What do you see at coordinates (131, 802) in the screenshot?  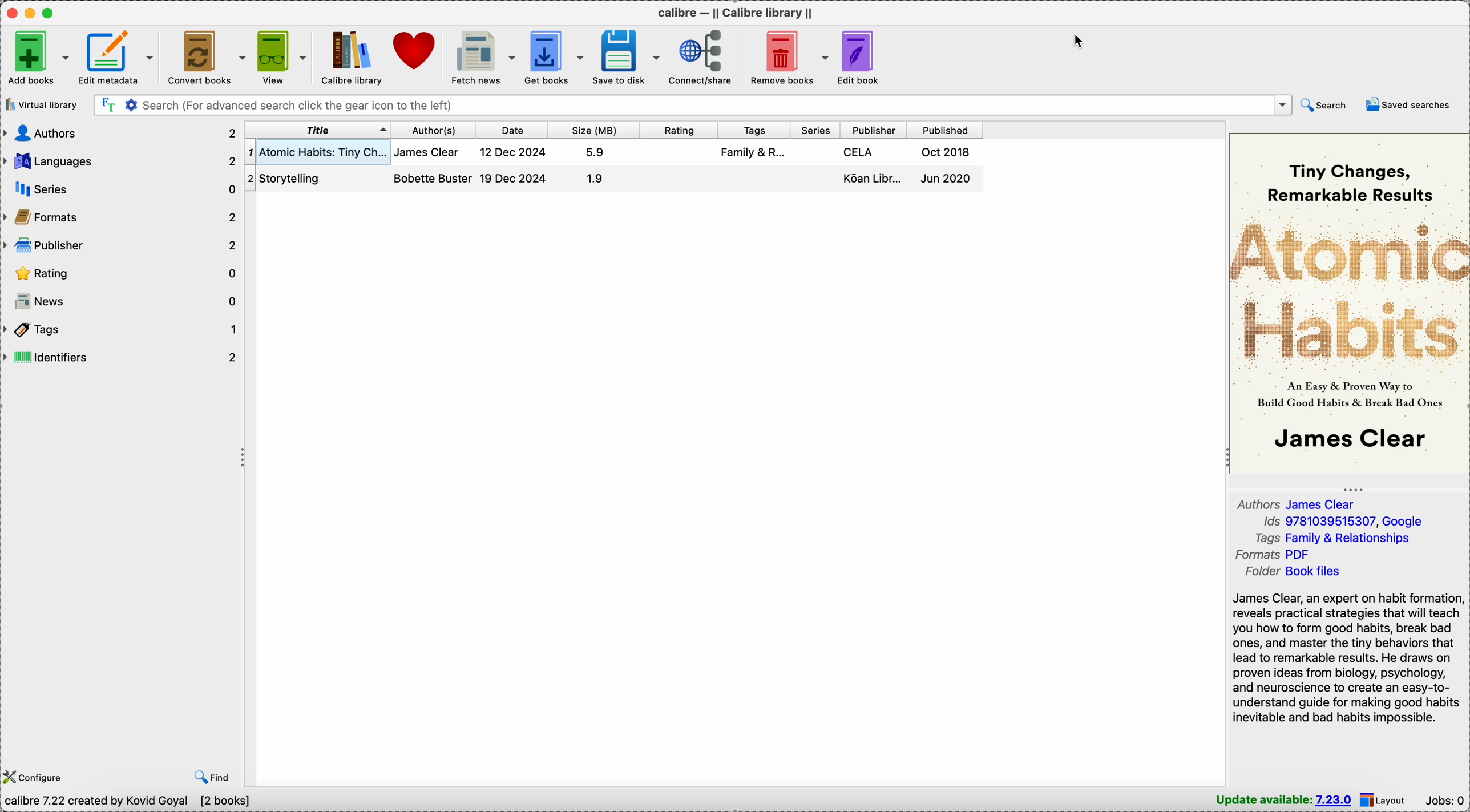 I see `calibre 7.22 created by kovid goyal (2 books)` at bounding box center [131, 802].